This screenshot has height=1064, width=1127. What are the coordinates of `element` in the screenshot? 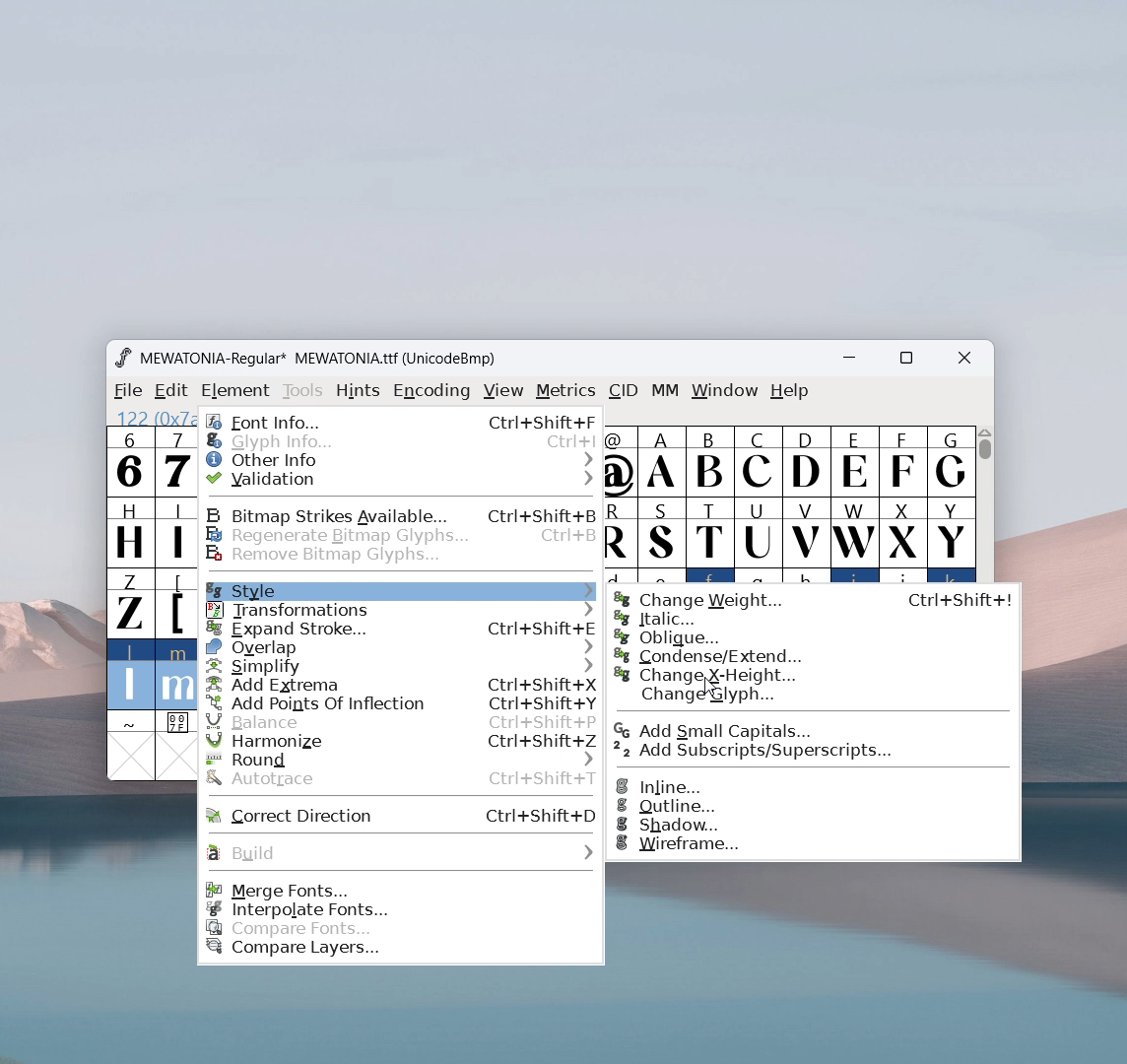 It's located at (235, 391).